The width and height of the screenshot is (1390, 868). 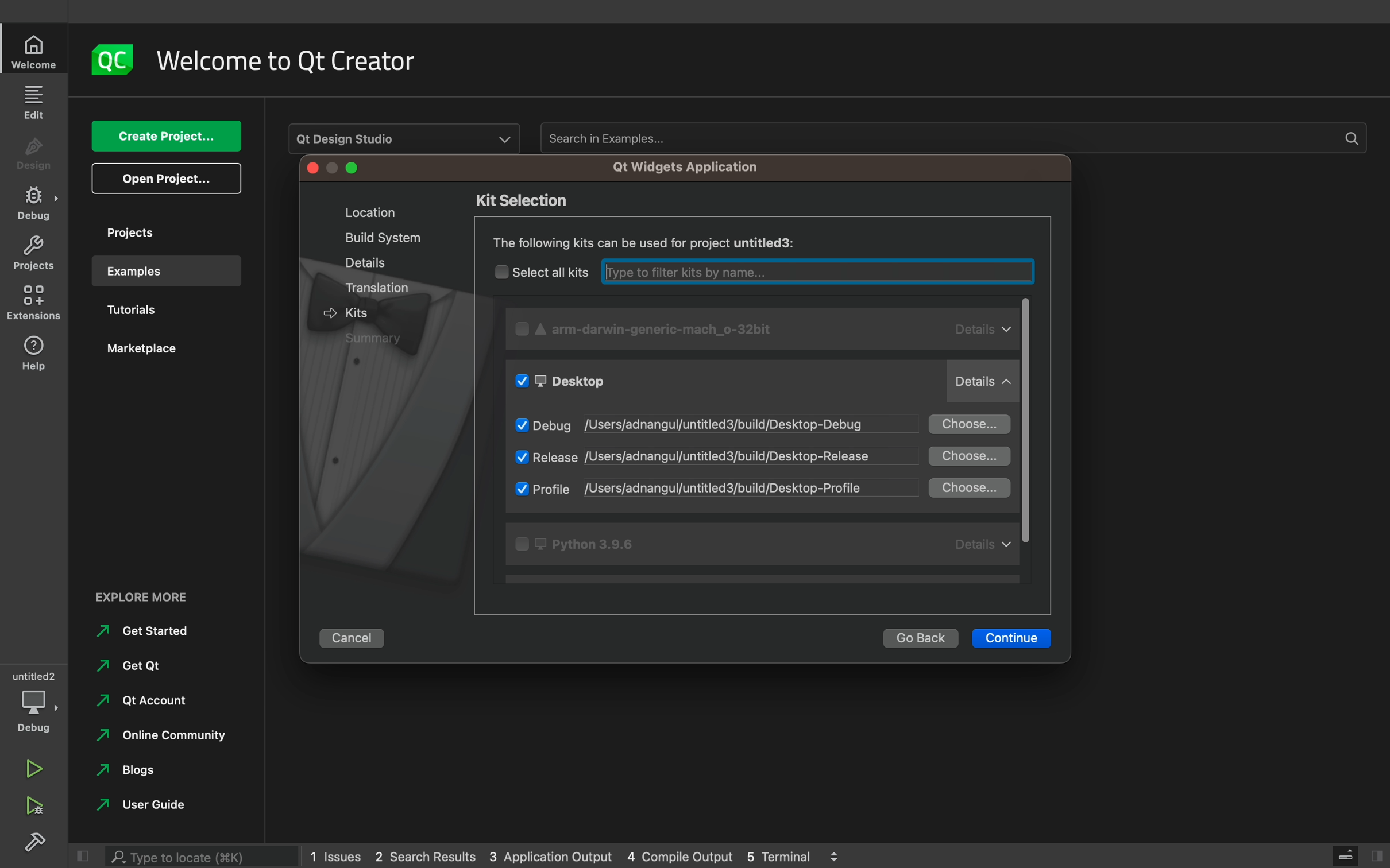 I want to click on , so click(x=87, y=855).